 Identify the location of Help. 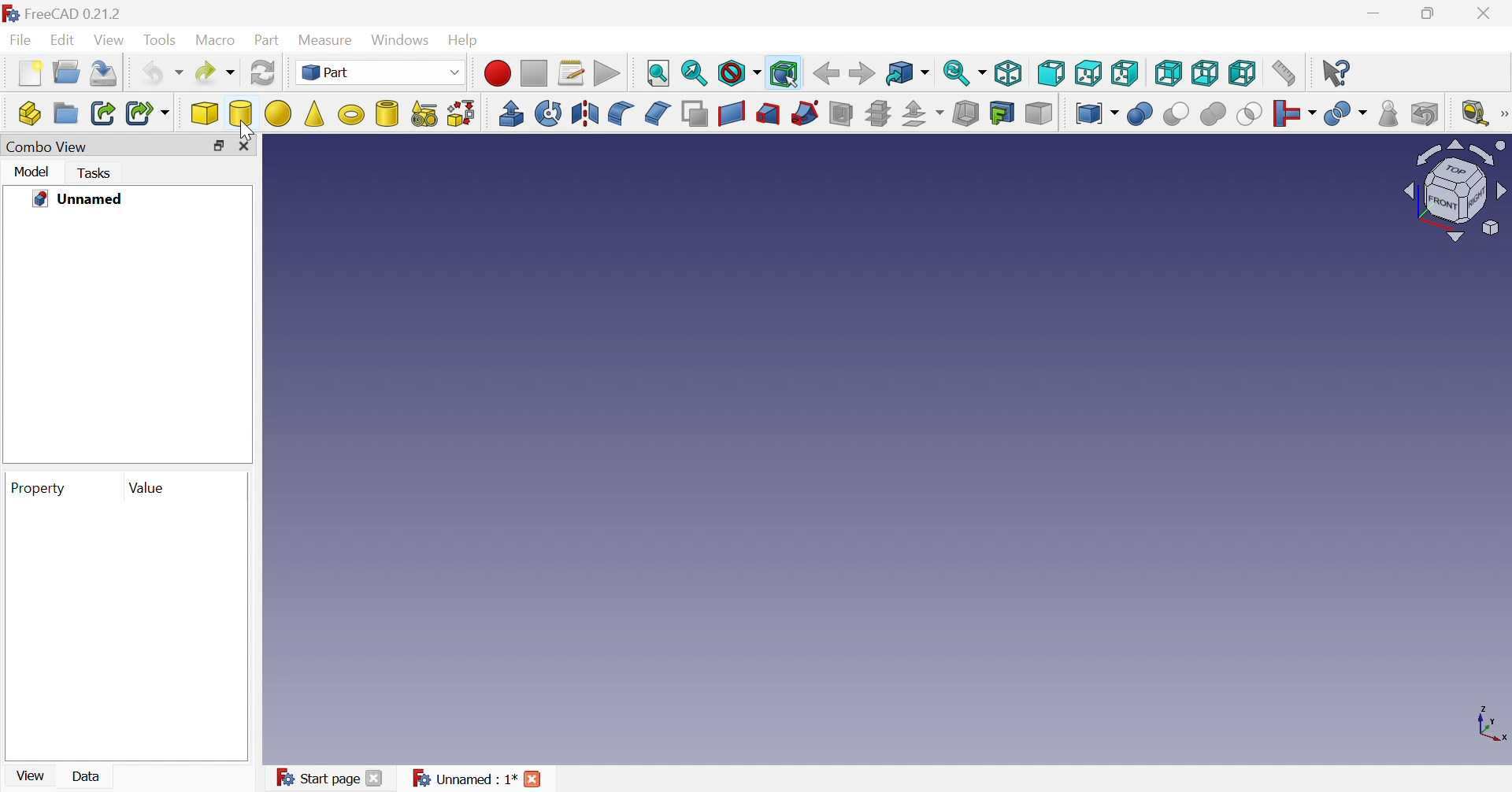
(465, 41).